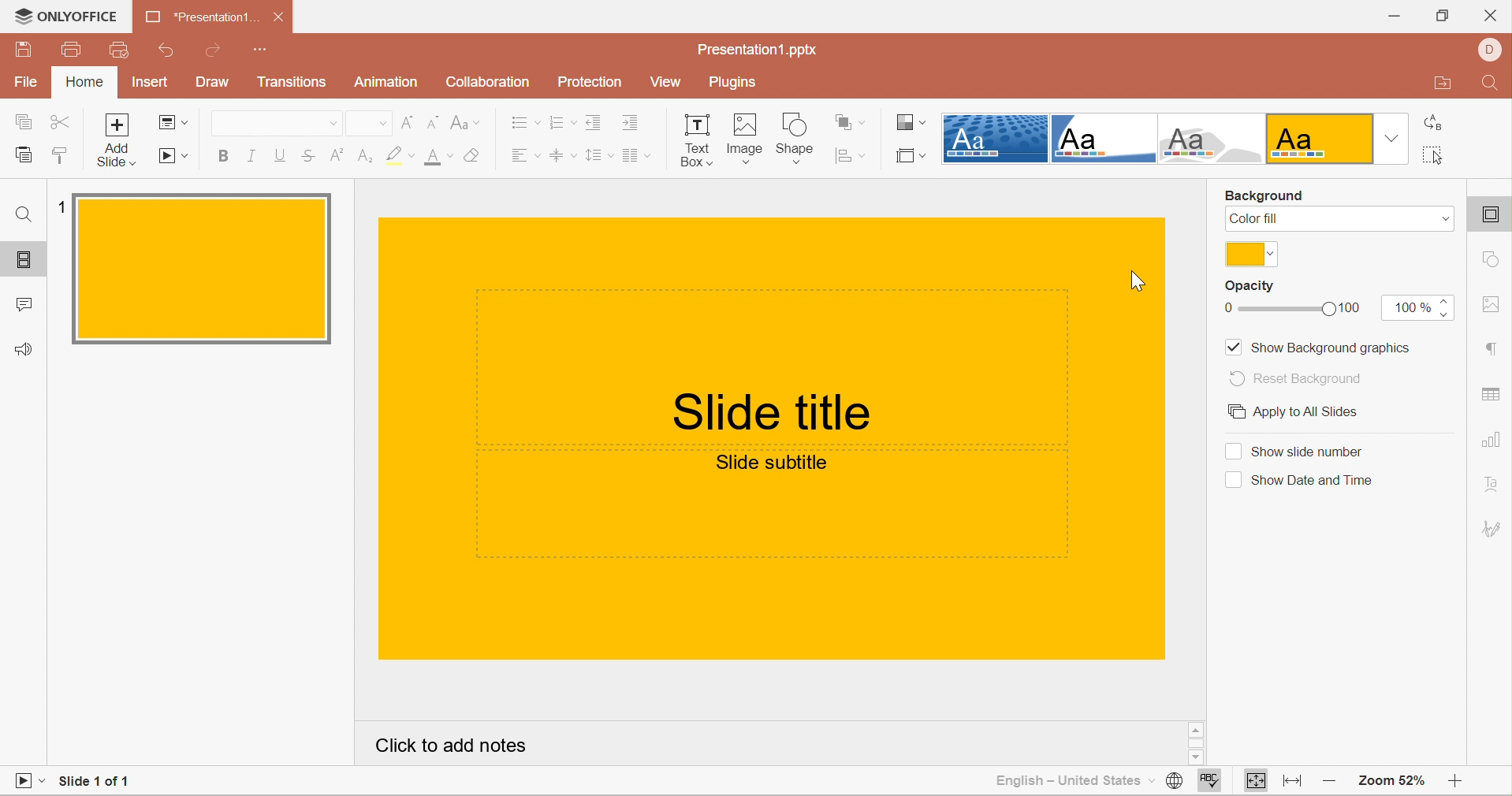 This screenshot has height=796, width=1512. I want to click on Draw, so click(215, 83).